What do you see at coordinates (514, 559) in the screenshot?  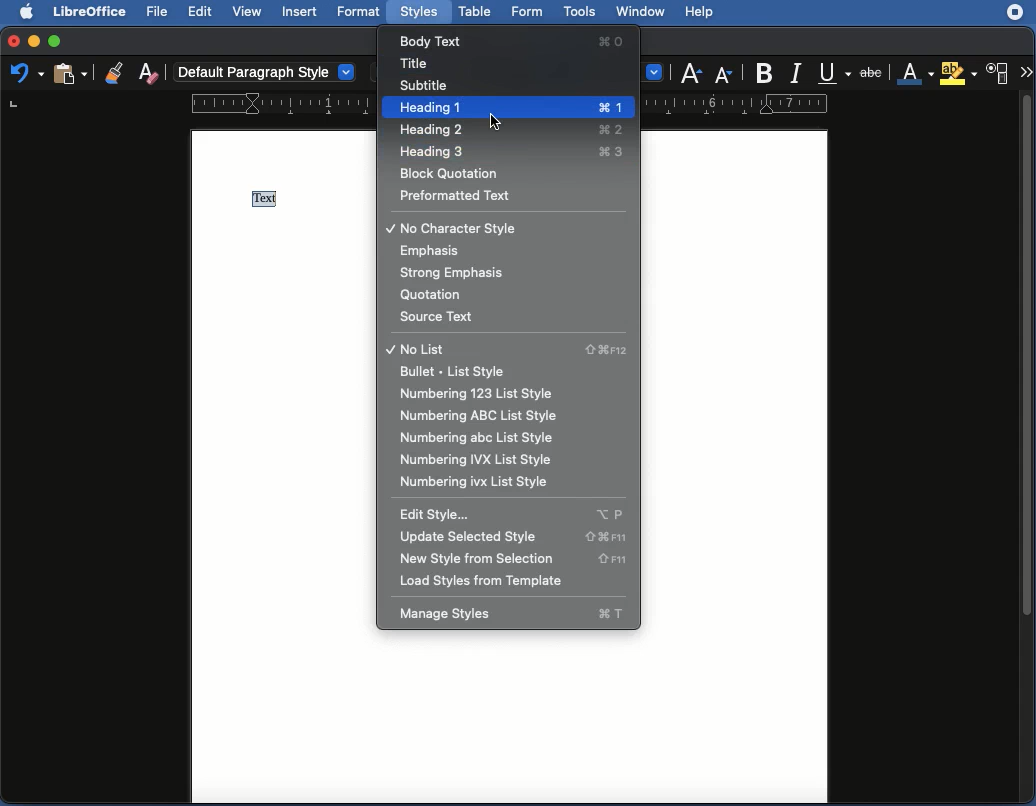 I see `New style from selection` at bounding box center [514, 559].